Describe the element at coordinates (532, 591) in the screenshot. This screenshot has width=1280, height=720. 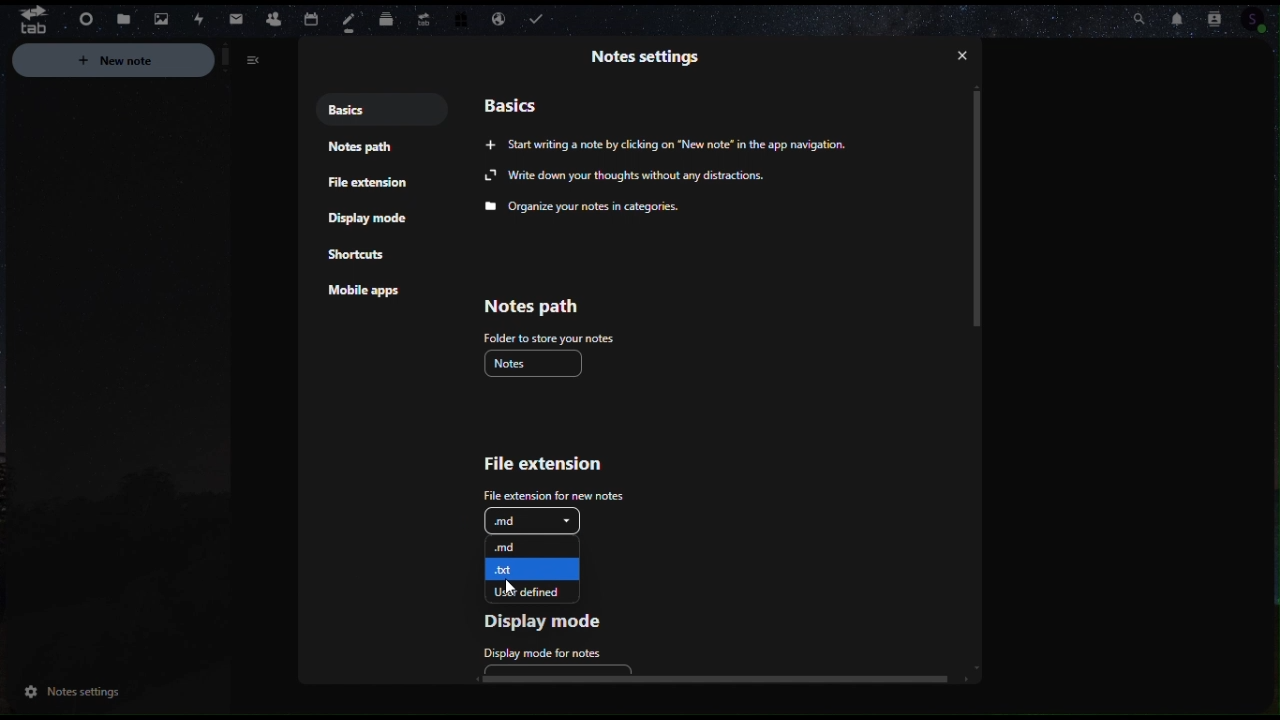
I see `User defined` at that location.